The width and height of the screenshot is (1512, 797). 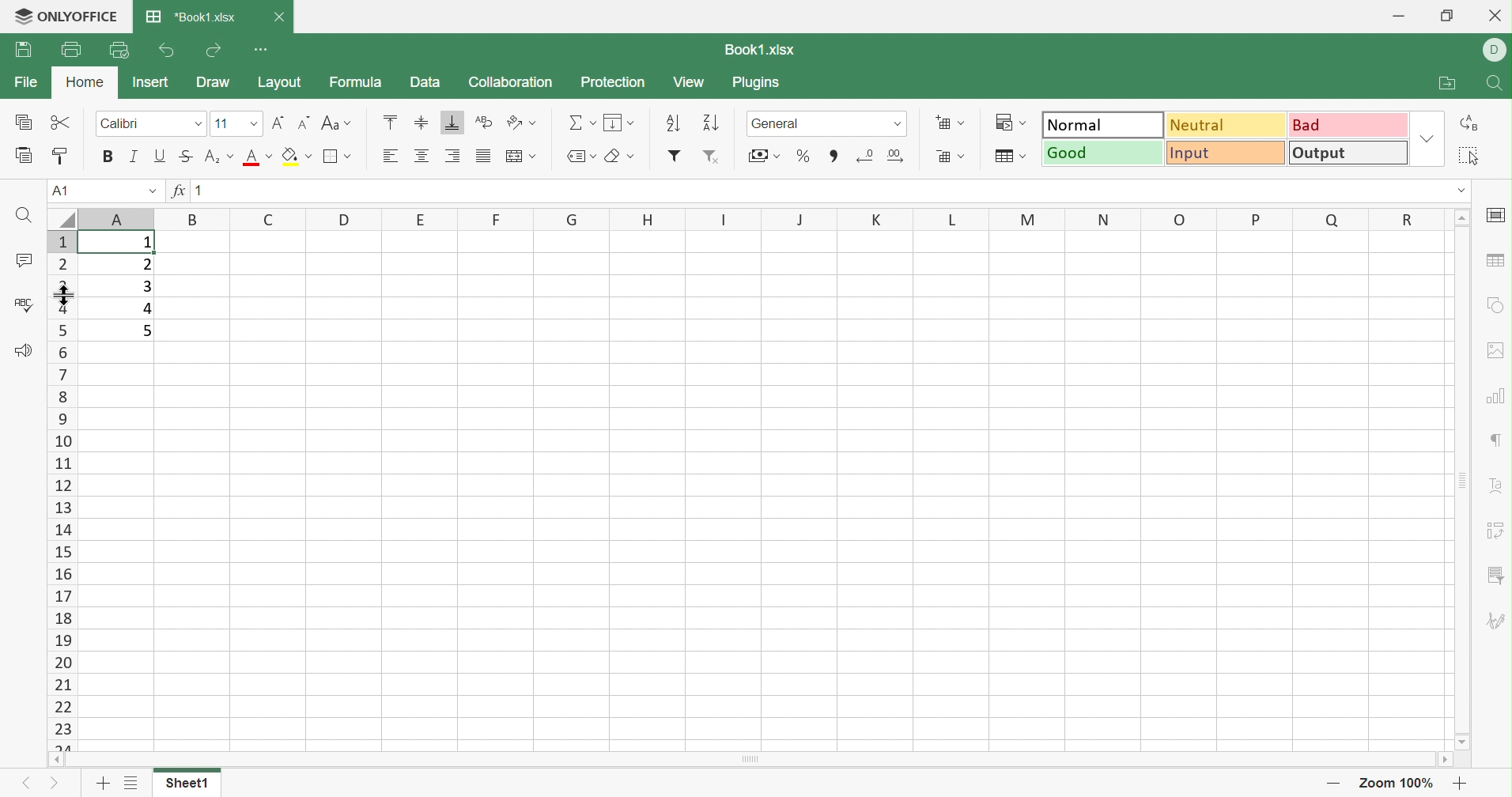 I want to click on Signature settings, so click(x=1498, y=621).